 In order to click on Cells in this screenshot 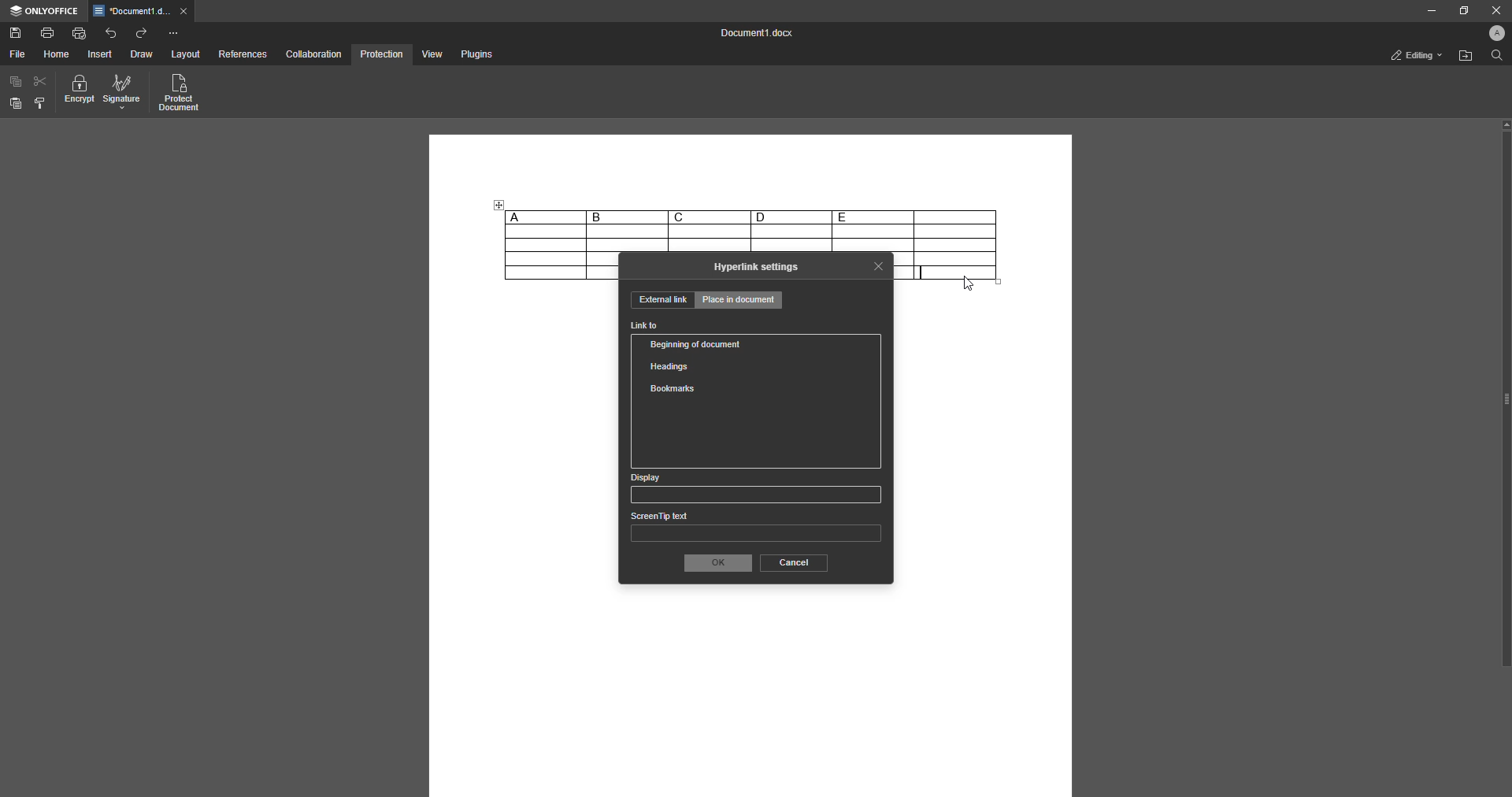, I will do `click(751, 239)`.